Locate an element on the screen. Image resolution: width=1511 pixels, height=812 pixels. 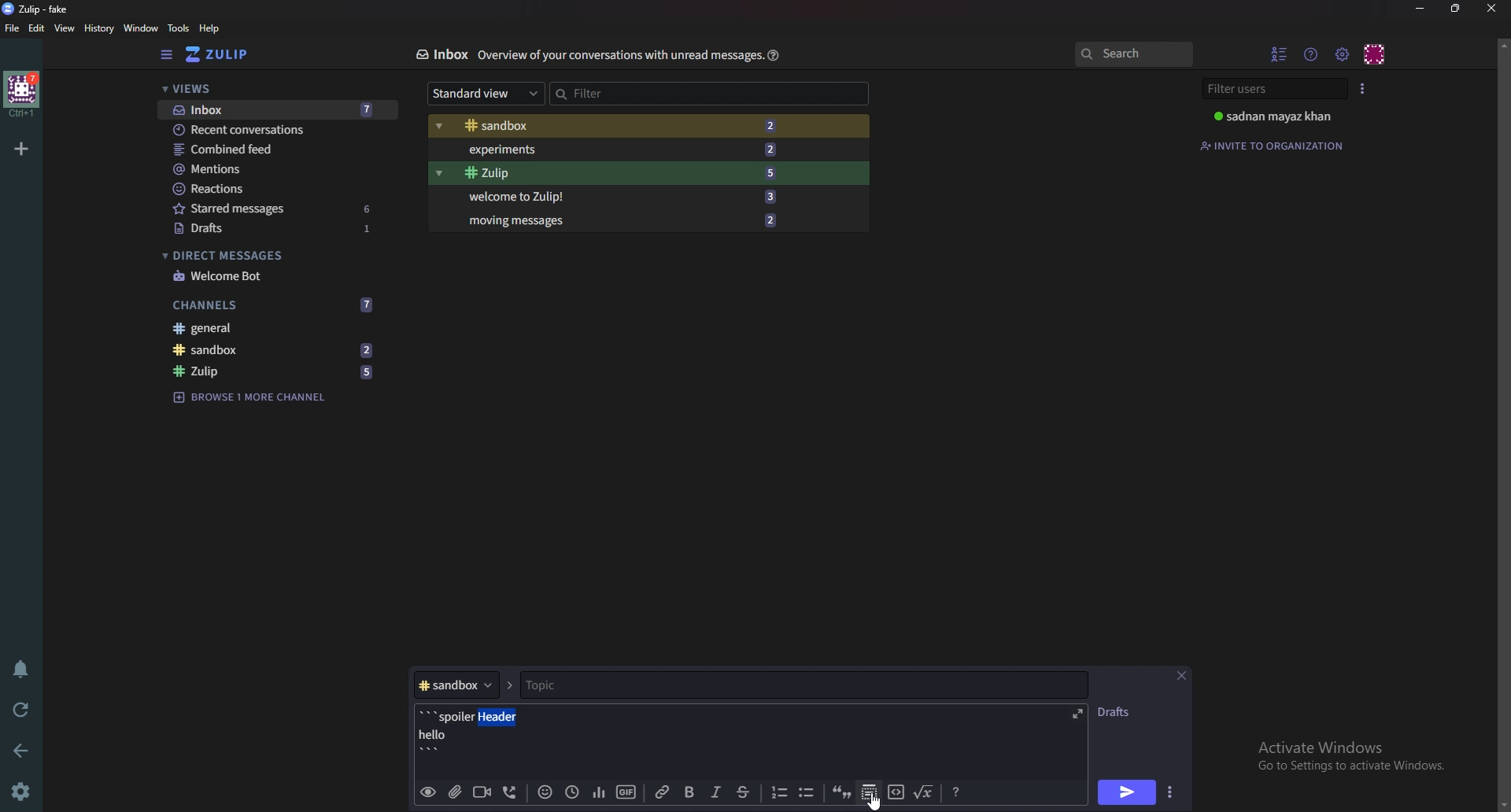
Minimize is located at coordinates (1420, 9).